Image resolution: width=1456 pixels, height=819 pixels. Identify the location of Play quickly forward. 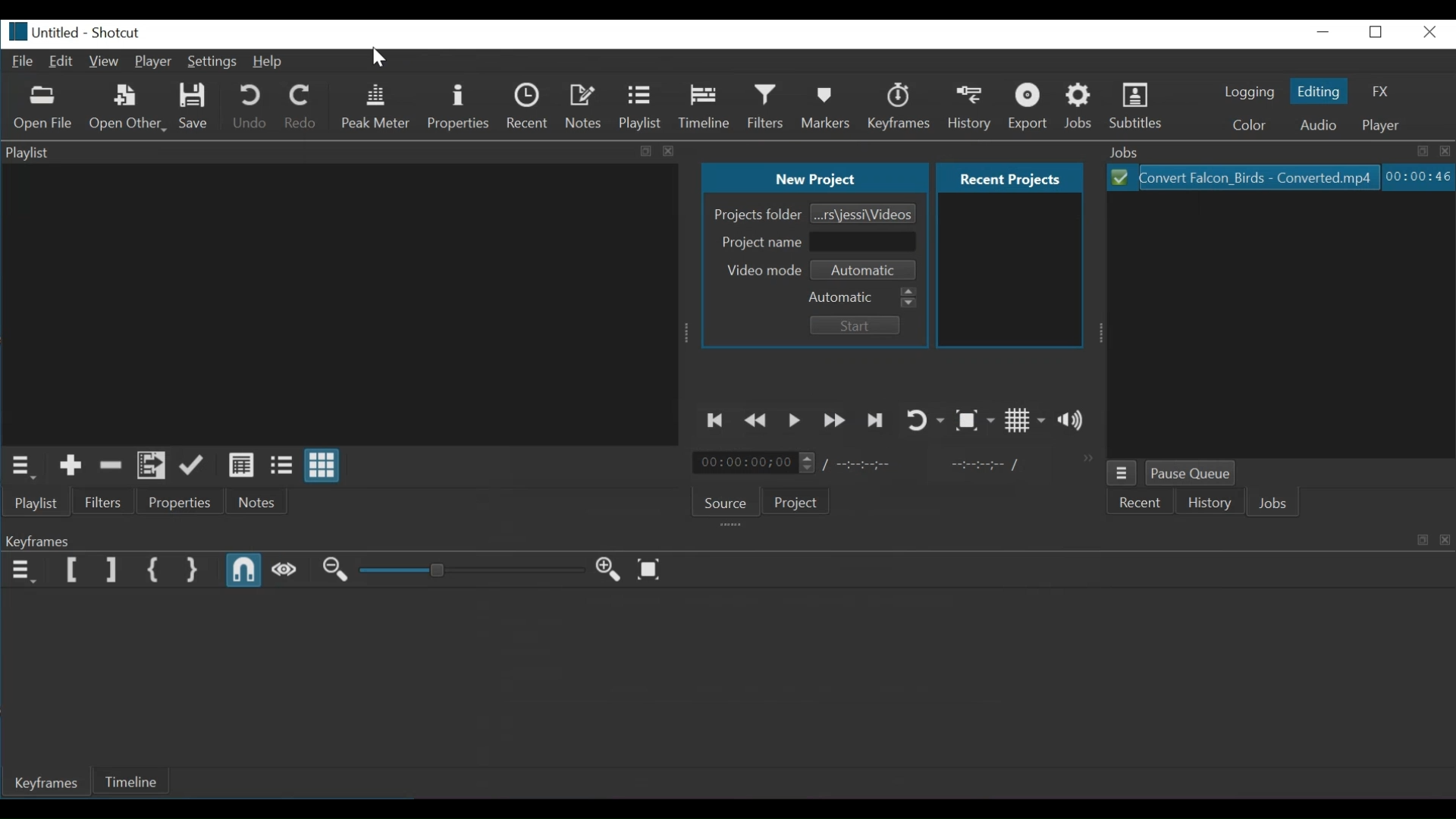
(833, 421).